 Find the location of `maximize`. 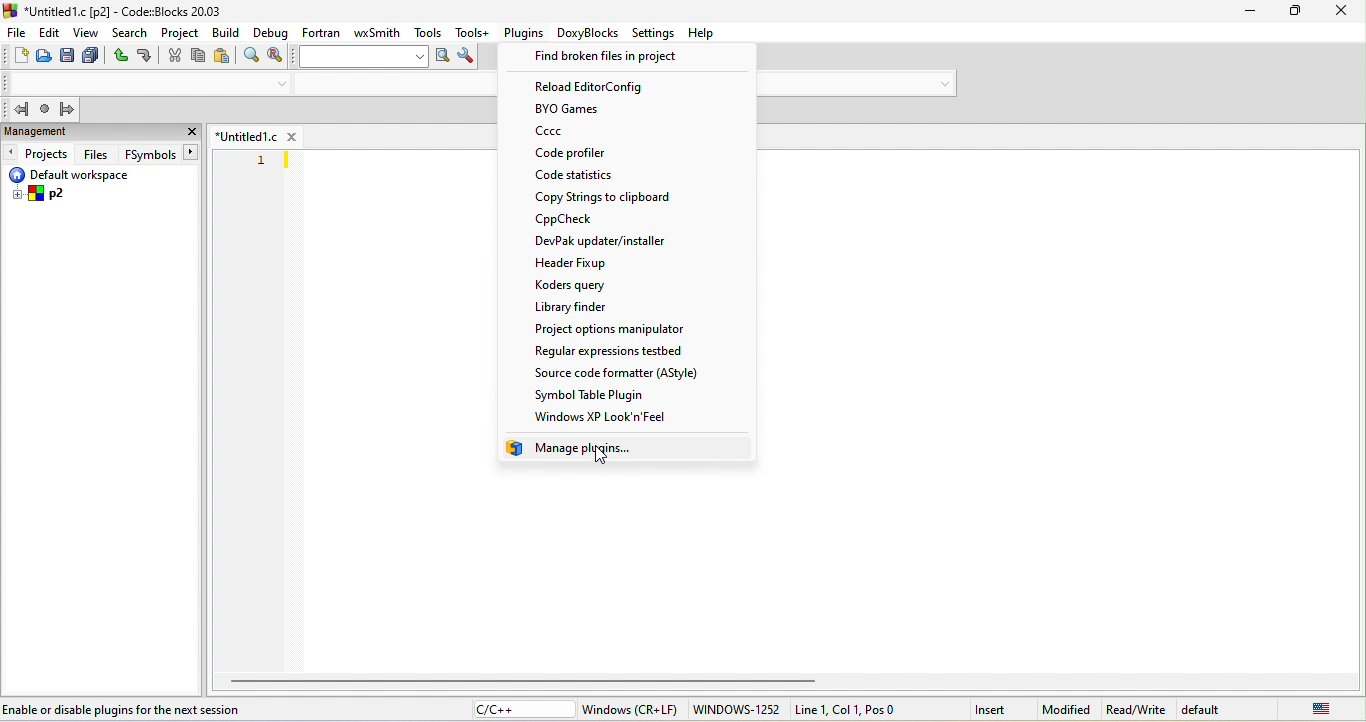

maximize is located at coordinates (1299, 12).